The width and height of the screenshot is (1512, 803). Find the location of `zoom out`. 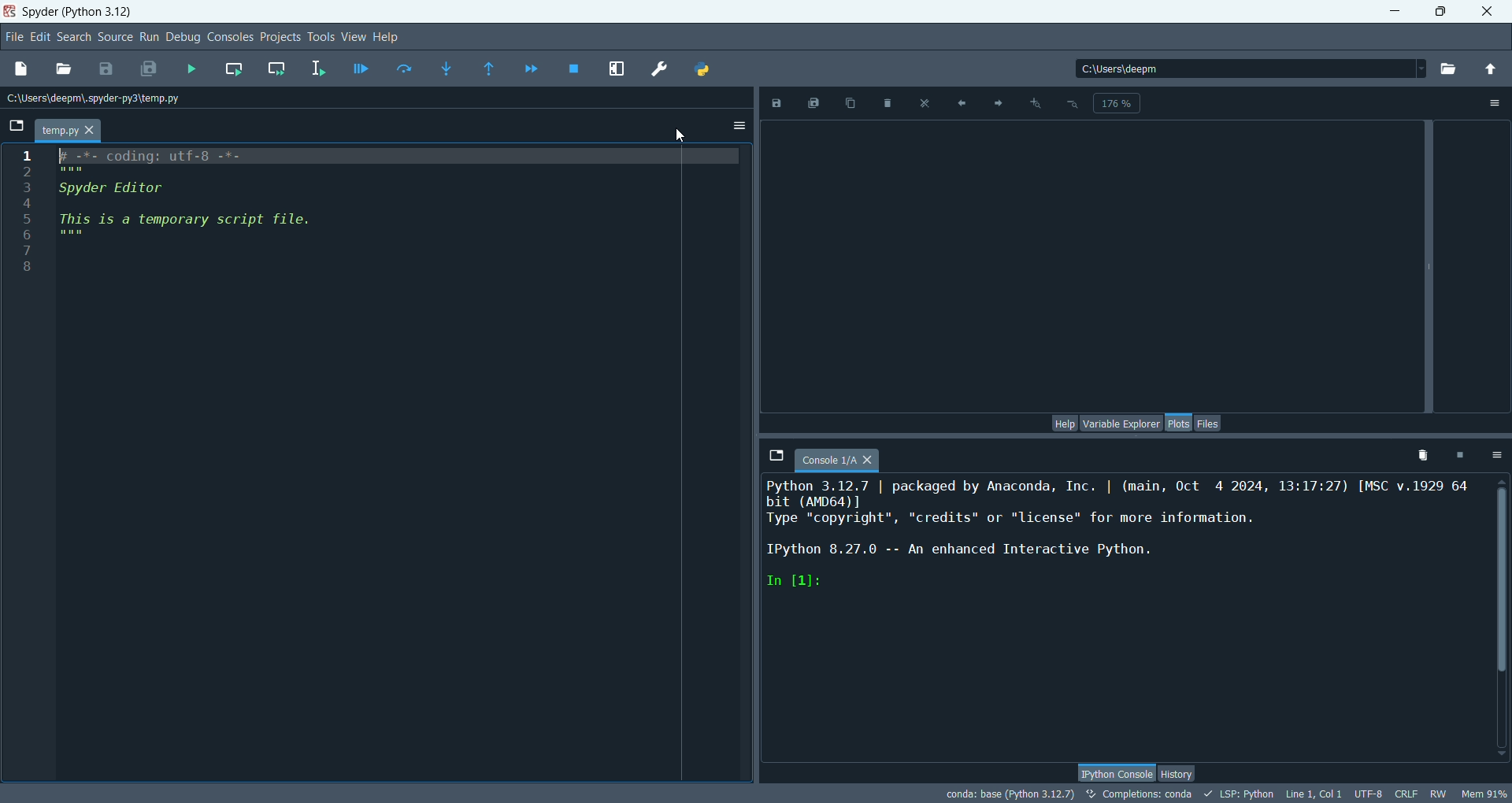

zoom out is located at coordinates (1072, 105).